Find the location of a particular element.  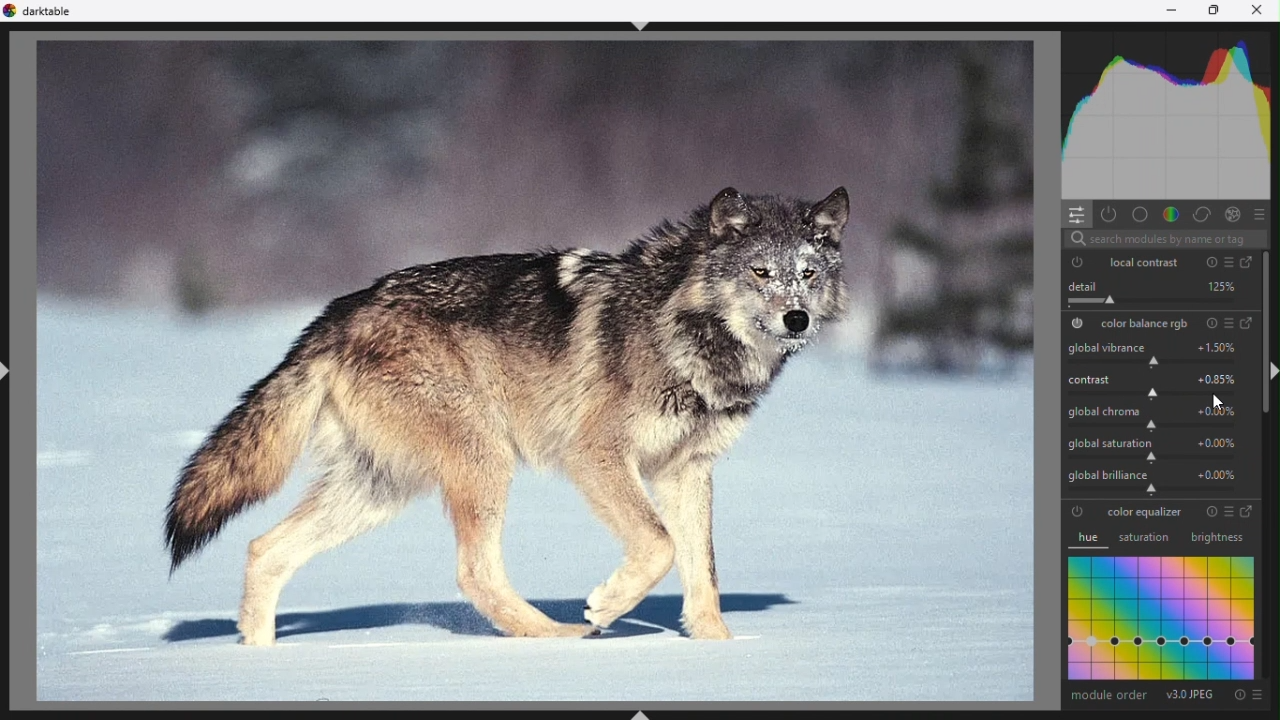

color is located at coordinates (1172, 212).